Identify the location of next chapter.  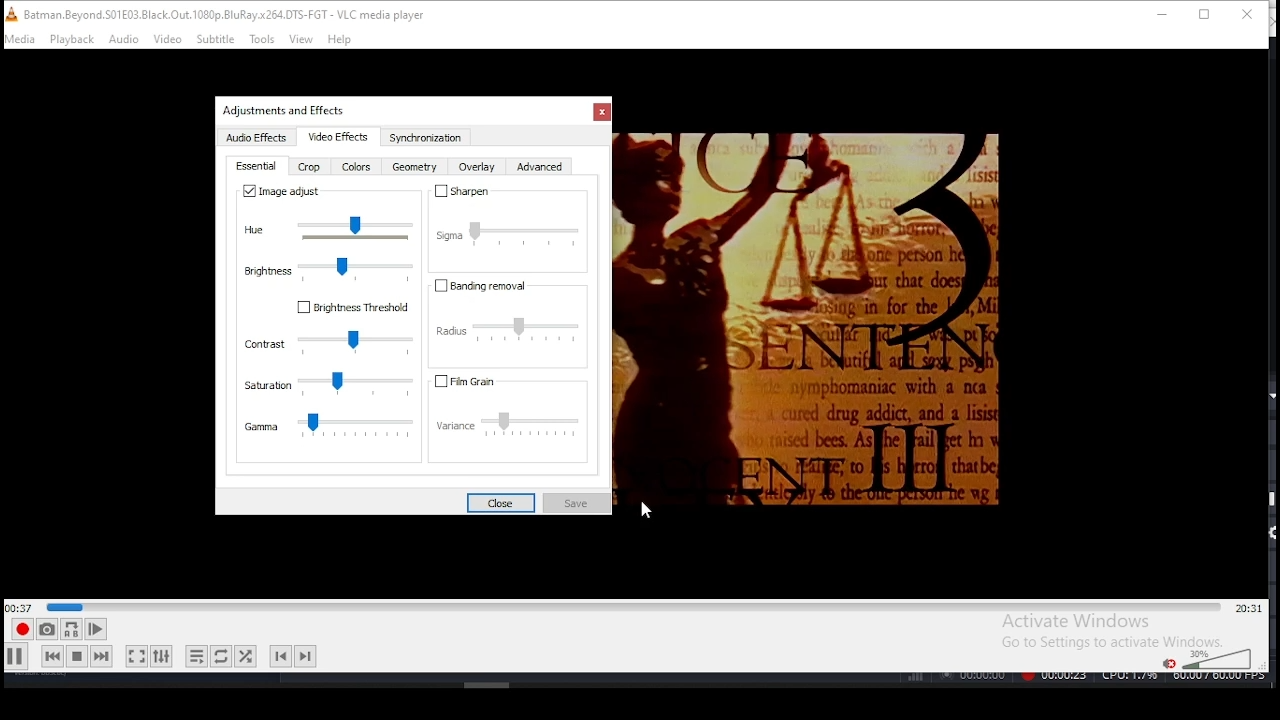
(307, 654).